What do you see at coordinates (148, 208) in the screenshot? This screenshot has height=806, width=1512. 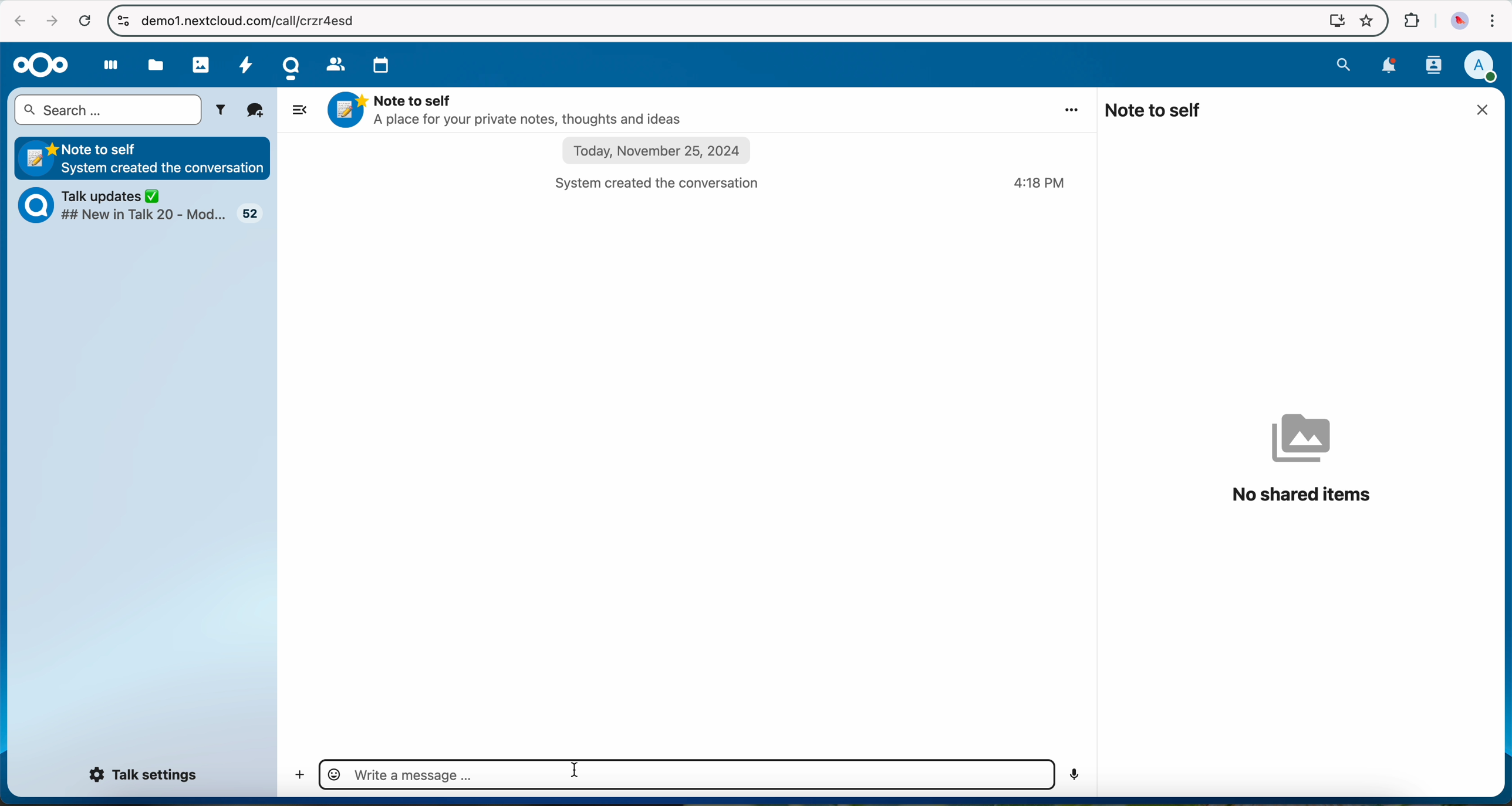 I see `Talk updates` at bounding box center [148, 208].